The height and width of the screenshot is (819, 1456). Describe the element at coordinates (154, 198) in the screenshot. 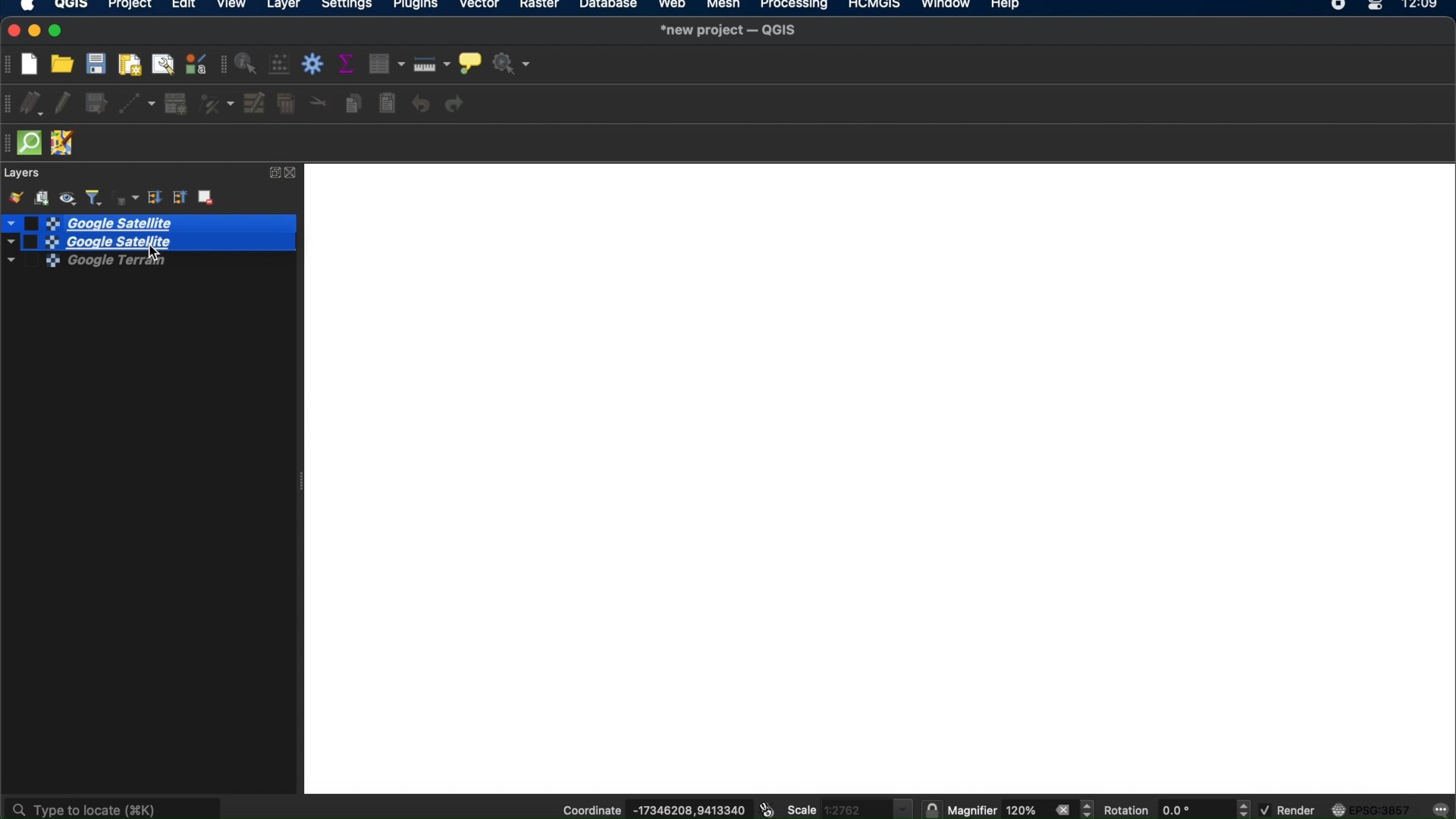

I see `expand all` at that location.